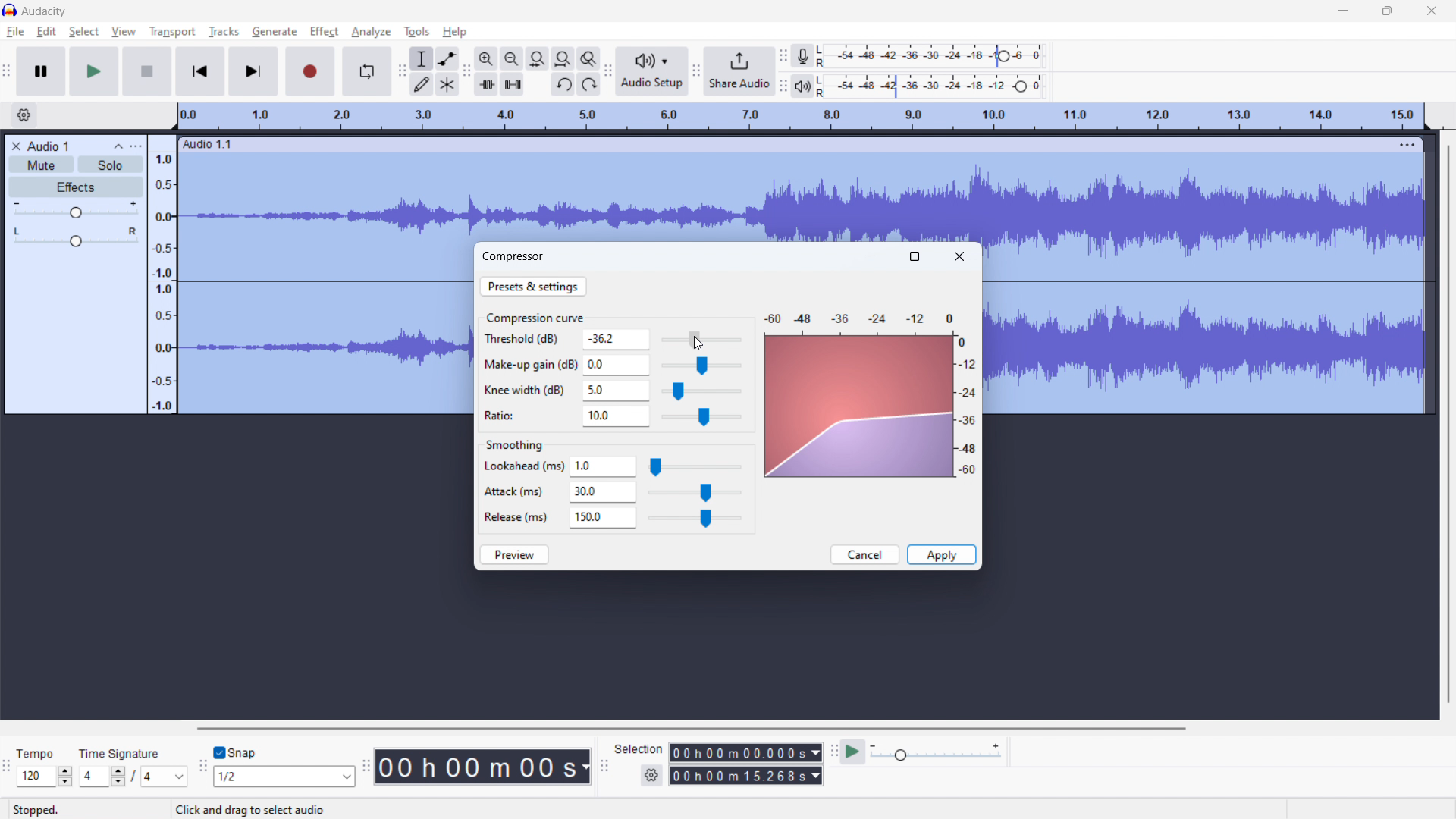  What do you see at coordinates (694, 519) in the screenshot?
I see `release slider` at bounding box center [694, 519].